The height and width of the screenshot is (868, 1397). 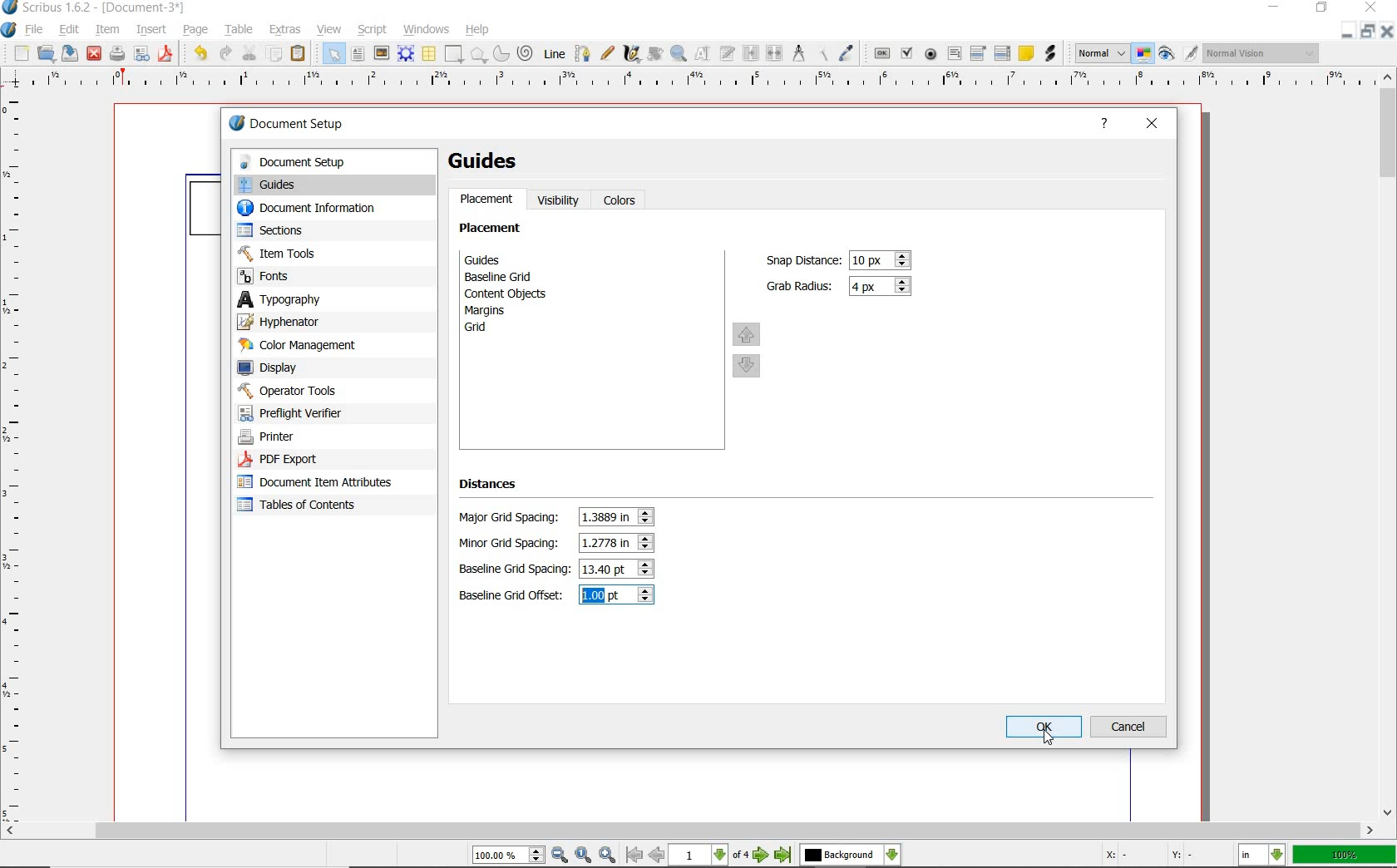 What do you see at coordinates (498, 329) in the screenshot?
I see `grid` at bounding box center [498, 329].